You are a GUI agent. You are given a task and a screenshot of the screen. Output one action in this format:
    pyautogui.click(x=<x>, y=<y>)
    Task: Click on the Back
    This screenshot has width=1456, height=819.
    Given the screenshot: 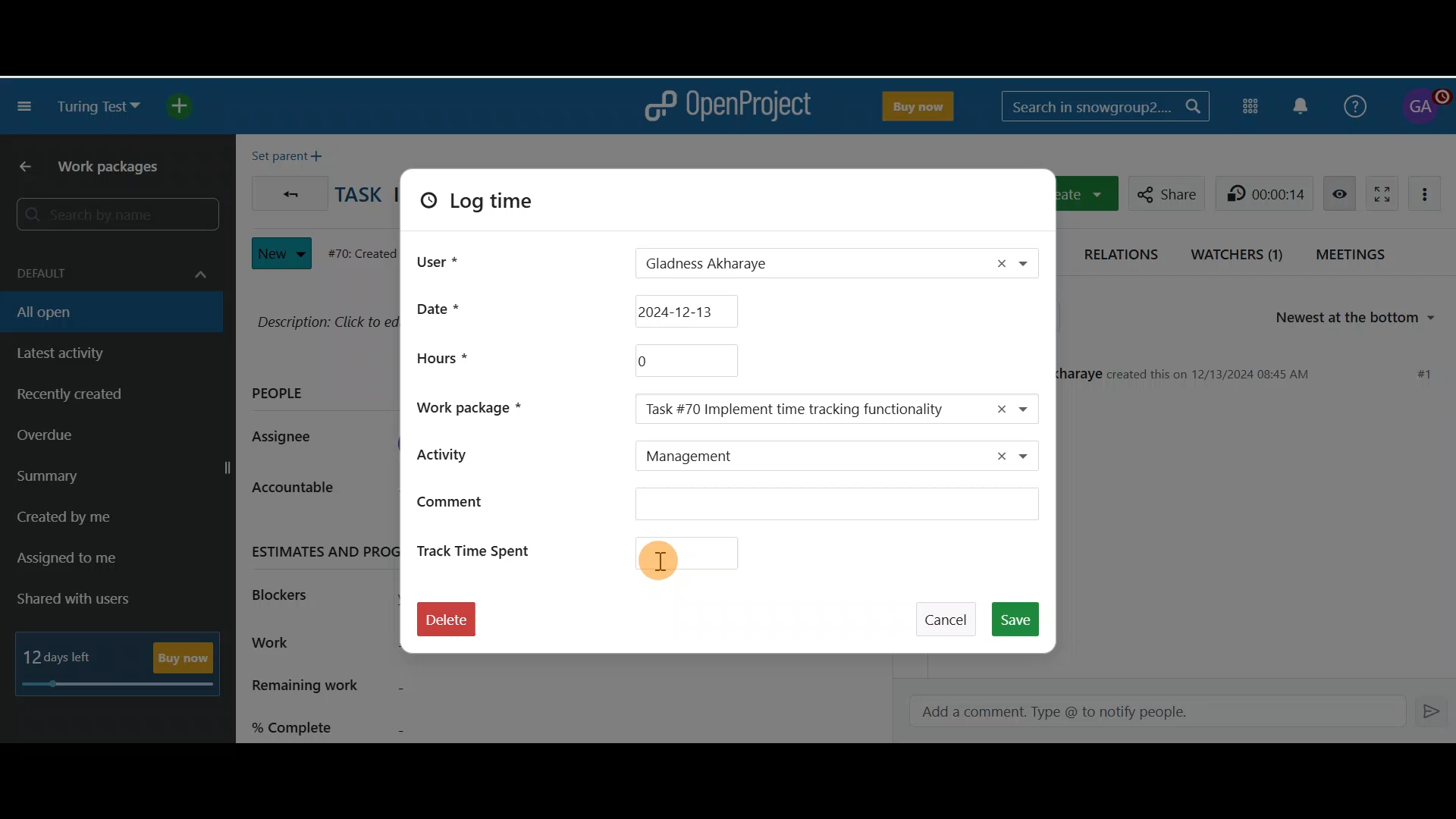 What is the action you would take?
    pyautogui.click(x=19, y=168)
    